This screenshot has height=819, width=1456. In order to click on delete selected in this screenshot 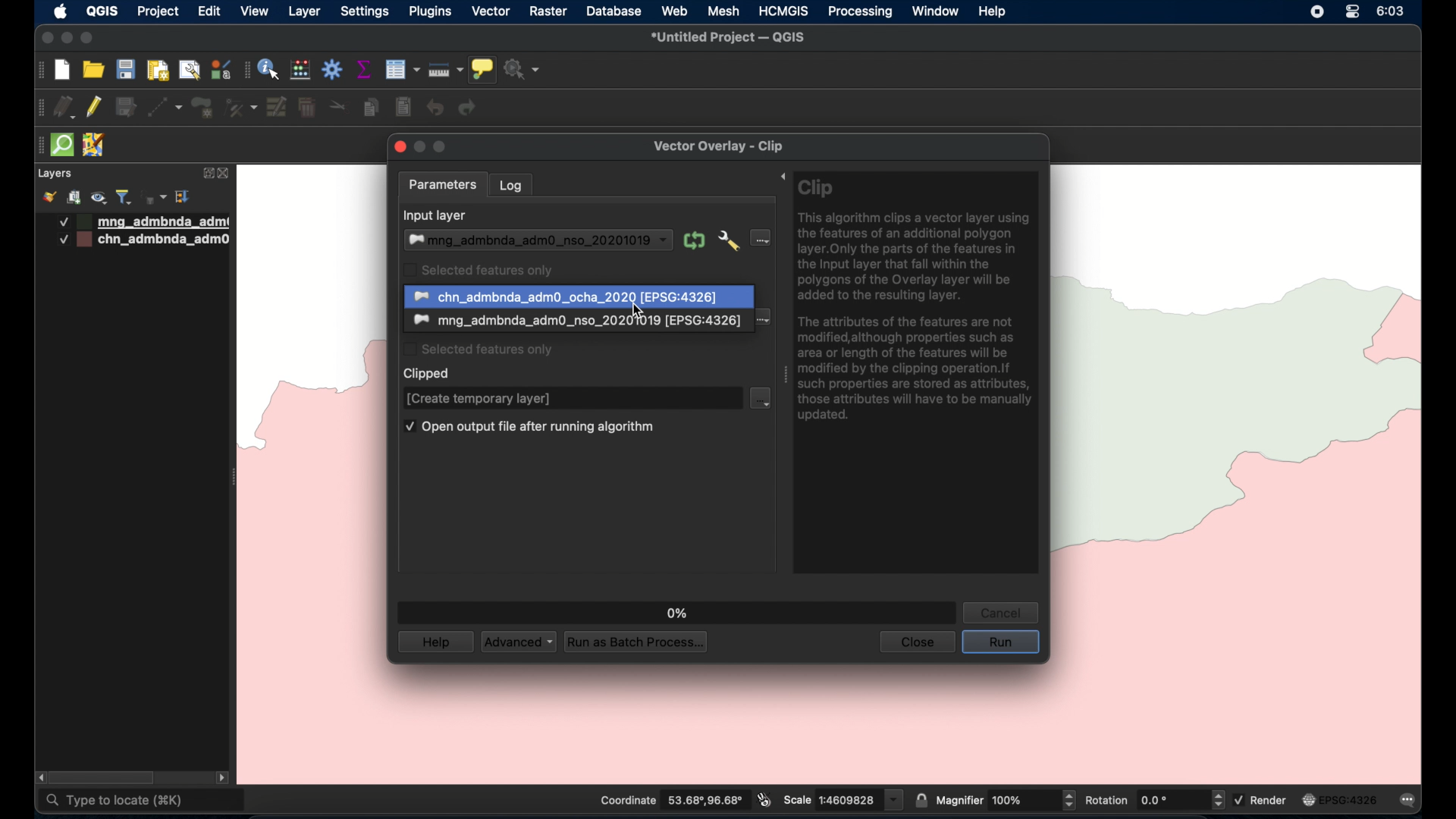, I will do `click(307, 108)`.